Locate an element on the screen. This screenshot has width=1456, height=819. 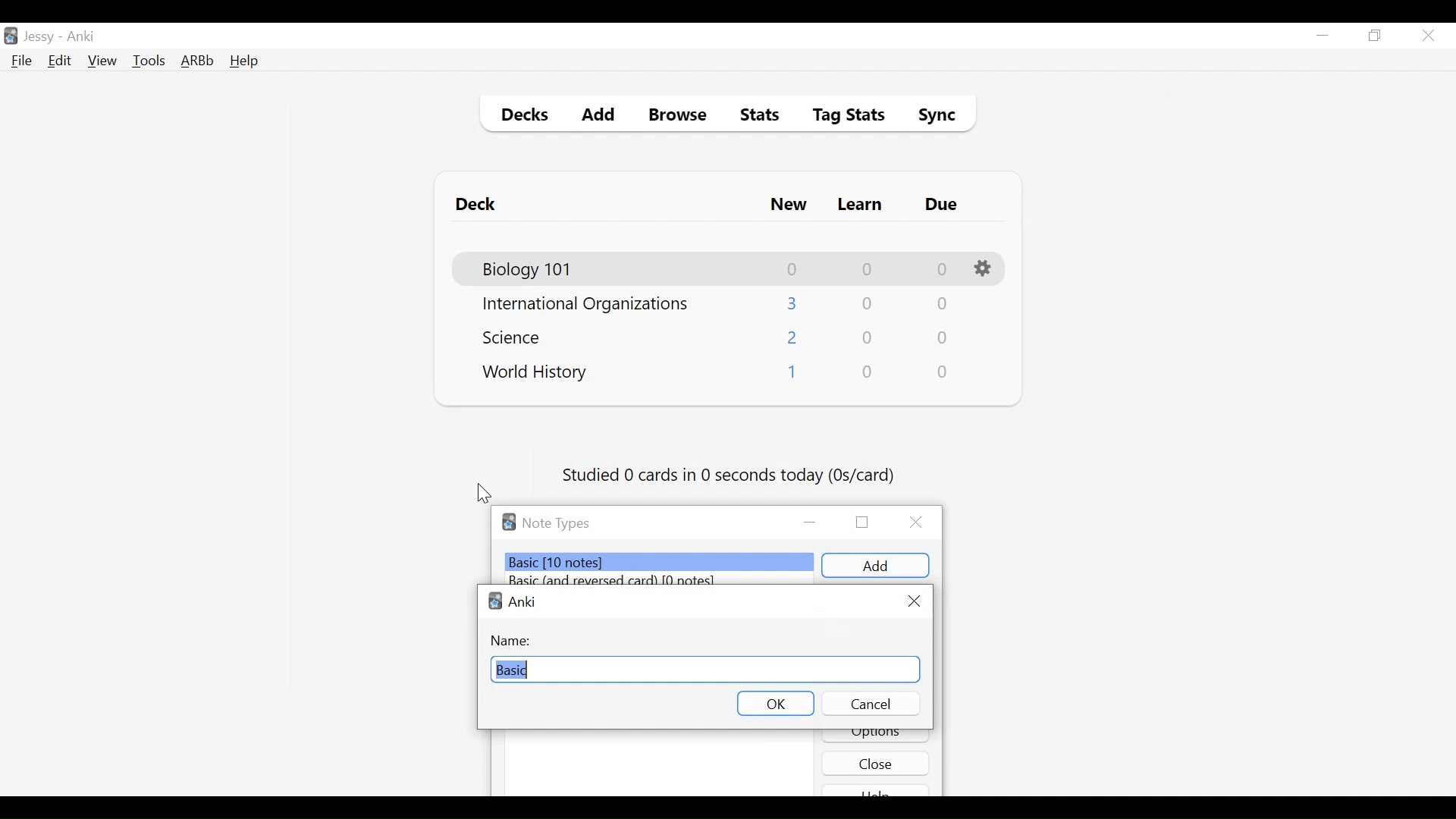
View is located at coordinates (103, 61).